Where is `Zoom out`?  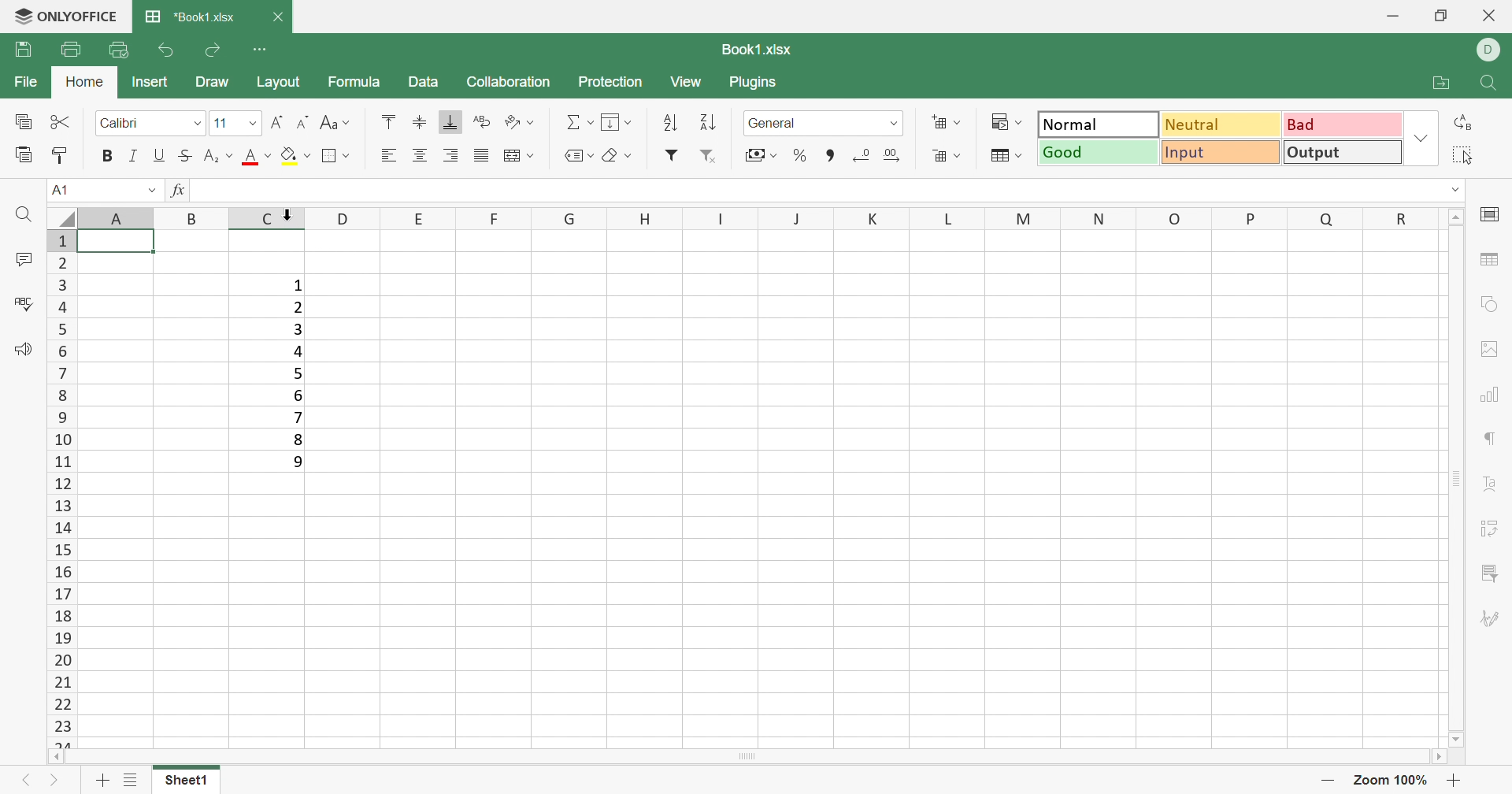 Zoom out is located at coordinates (1454, 781).